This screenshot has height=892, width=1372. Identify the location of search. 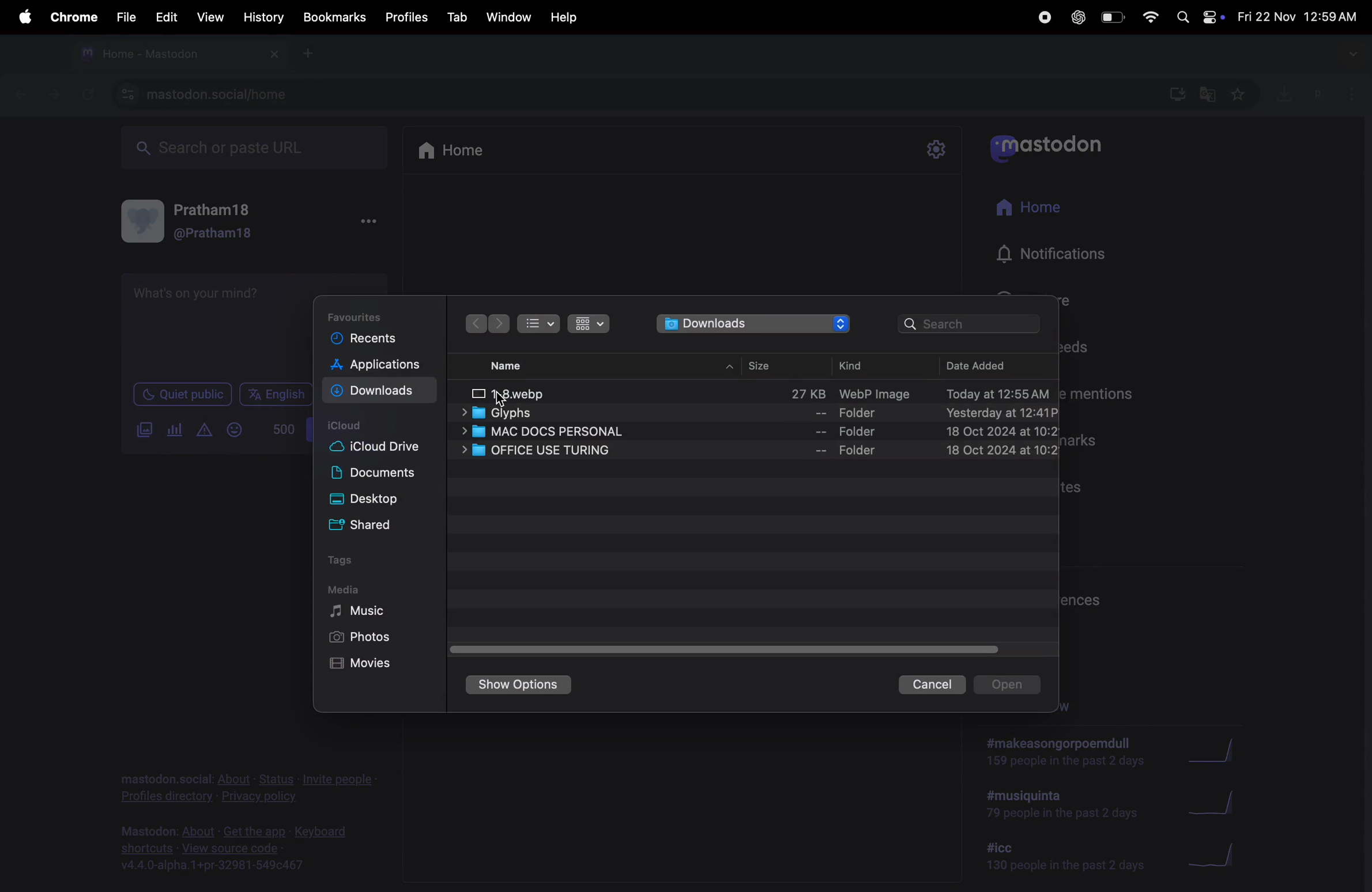
(973, 325).